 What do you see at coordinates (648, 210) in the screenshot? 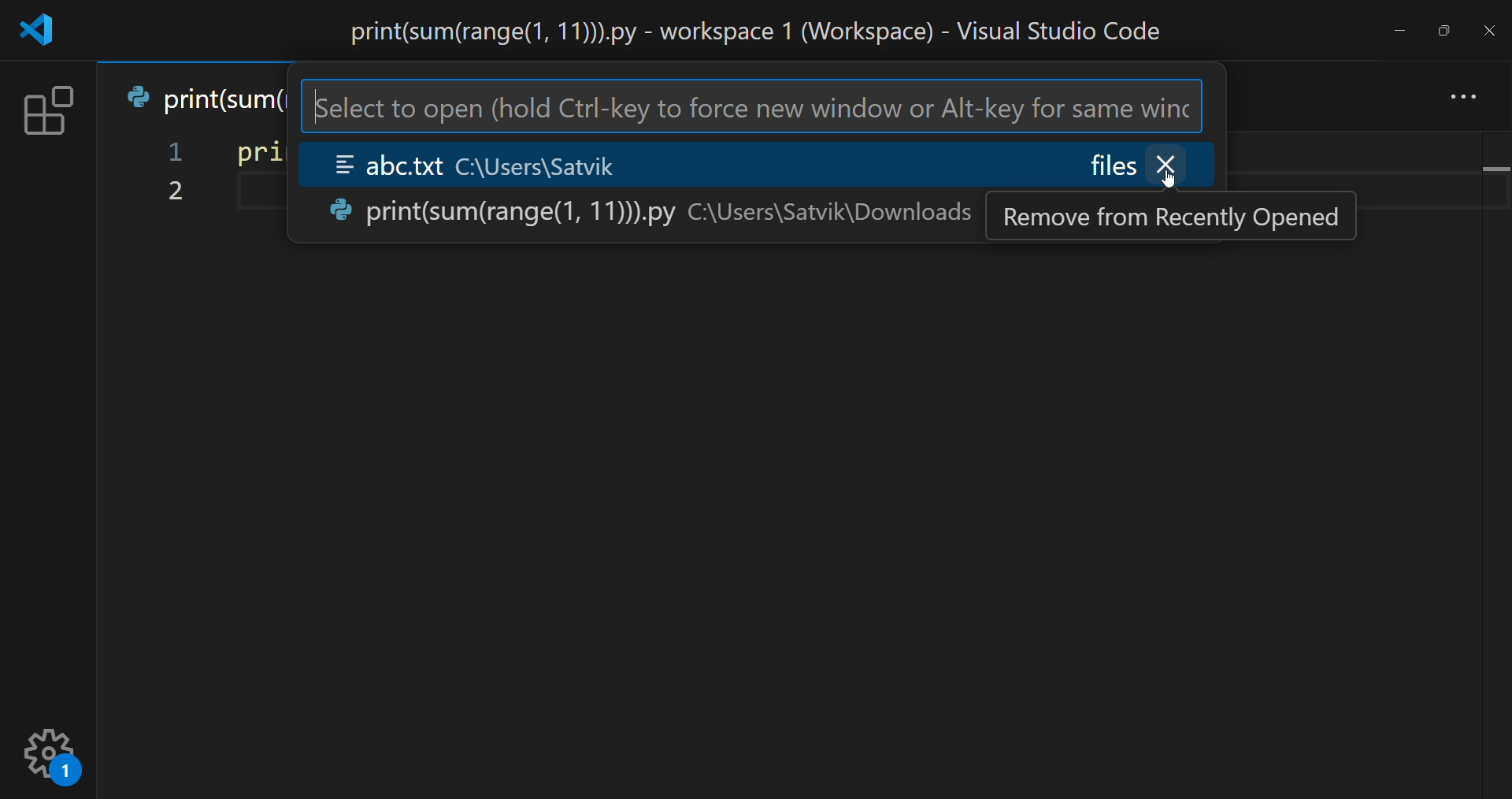
I see `print(sum(range(1, 11))).py C:\Users\Satvik\Downloads` at bounding box center [648, 210].